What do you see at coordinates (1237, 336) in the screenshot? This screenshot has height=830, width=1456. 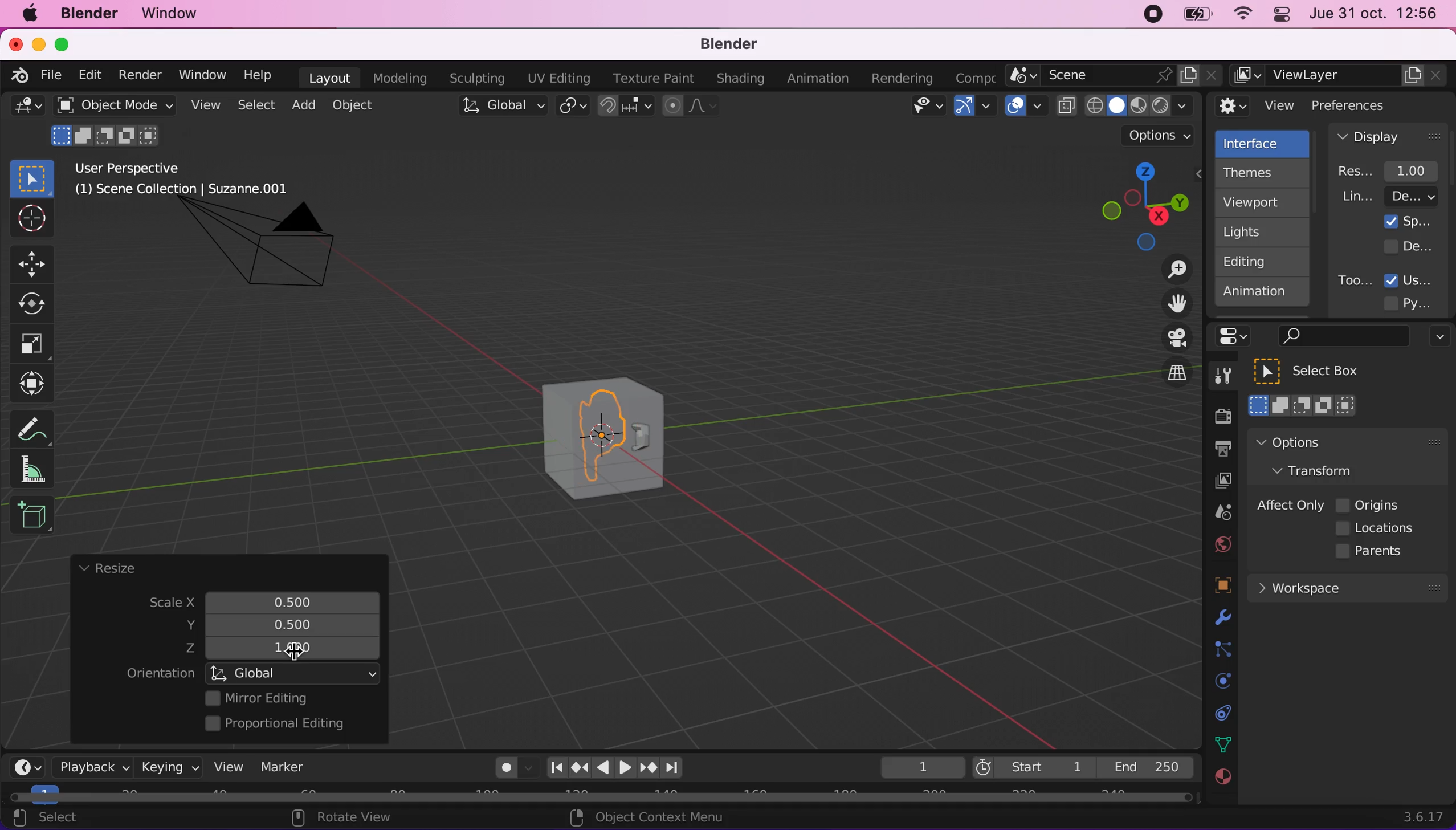 I see `panel control` at bounding box center [1237, 336].